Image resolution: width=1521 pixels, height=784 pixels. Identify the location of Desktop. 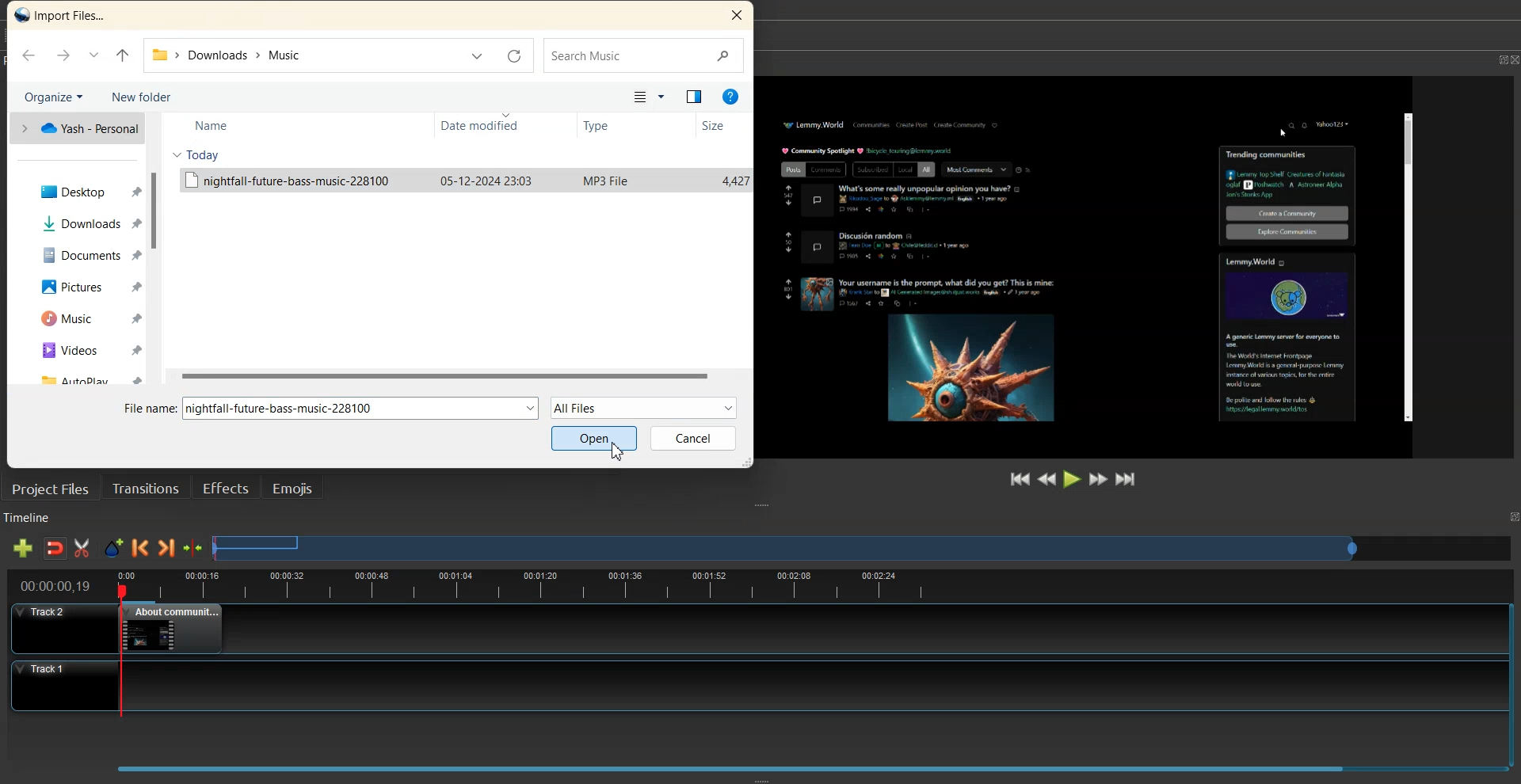
(75, 190).